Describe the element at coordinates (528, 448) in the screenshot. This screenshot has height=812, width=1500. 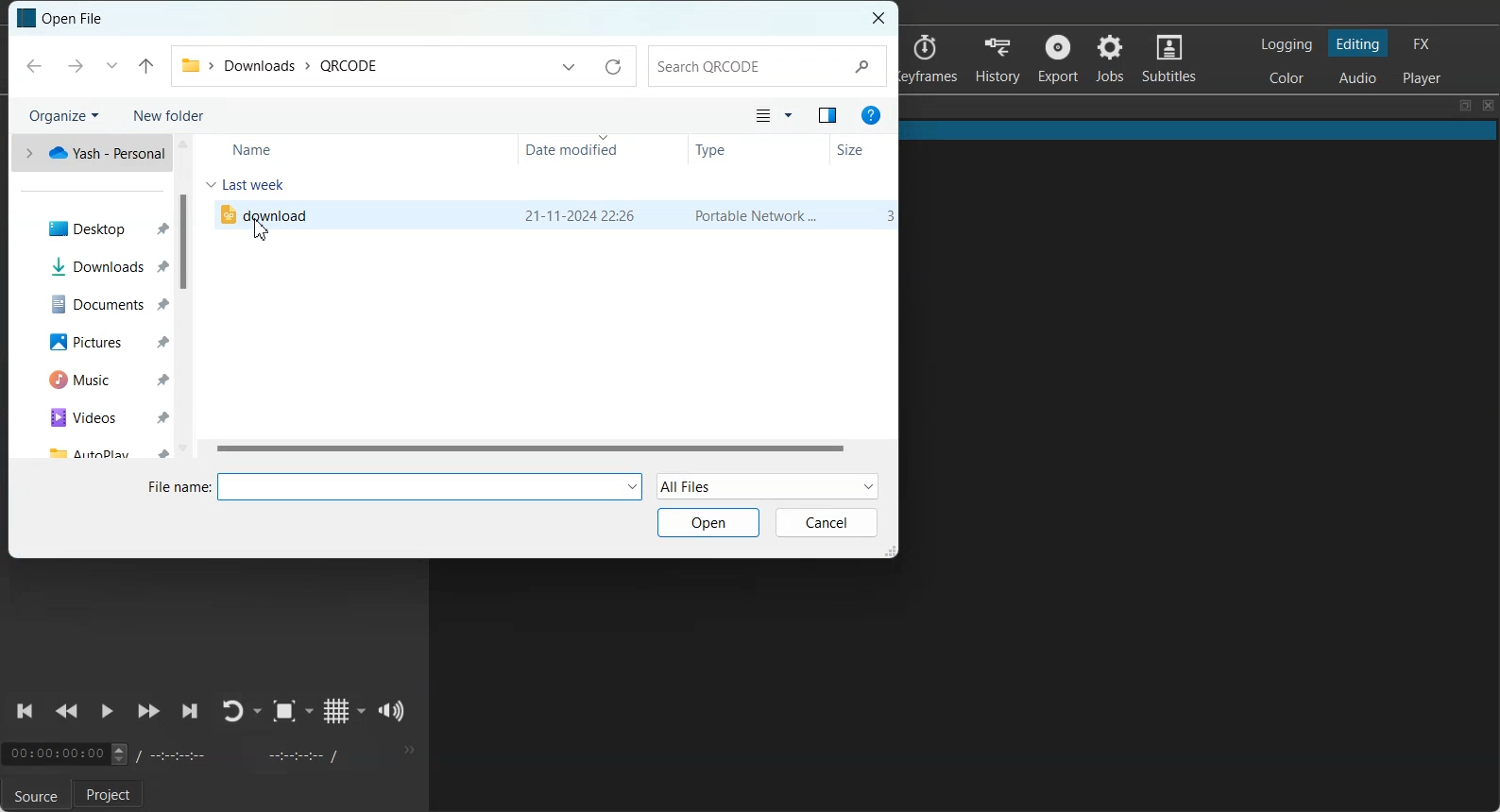
I see `Horizontal Scroll bar` at that location.